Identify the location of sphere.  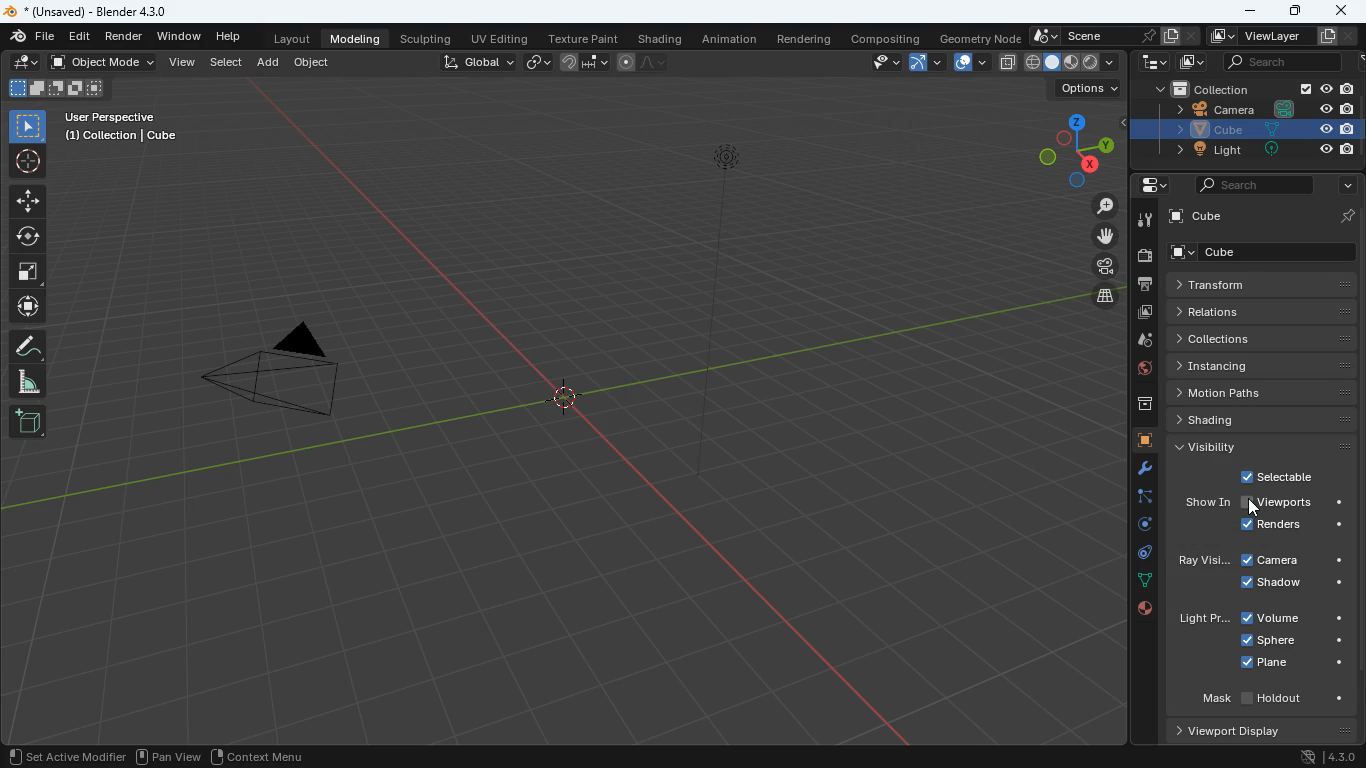
(1293, 642).